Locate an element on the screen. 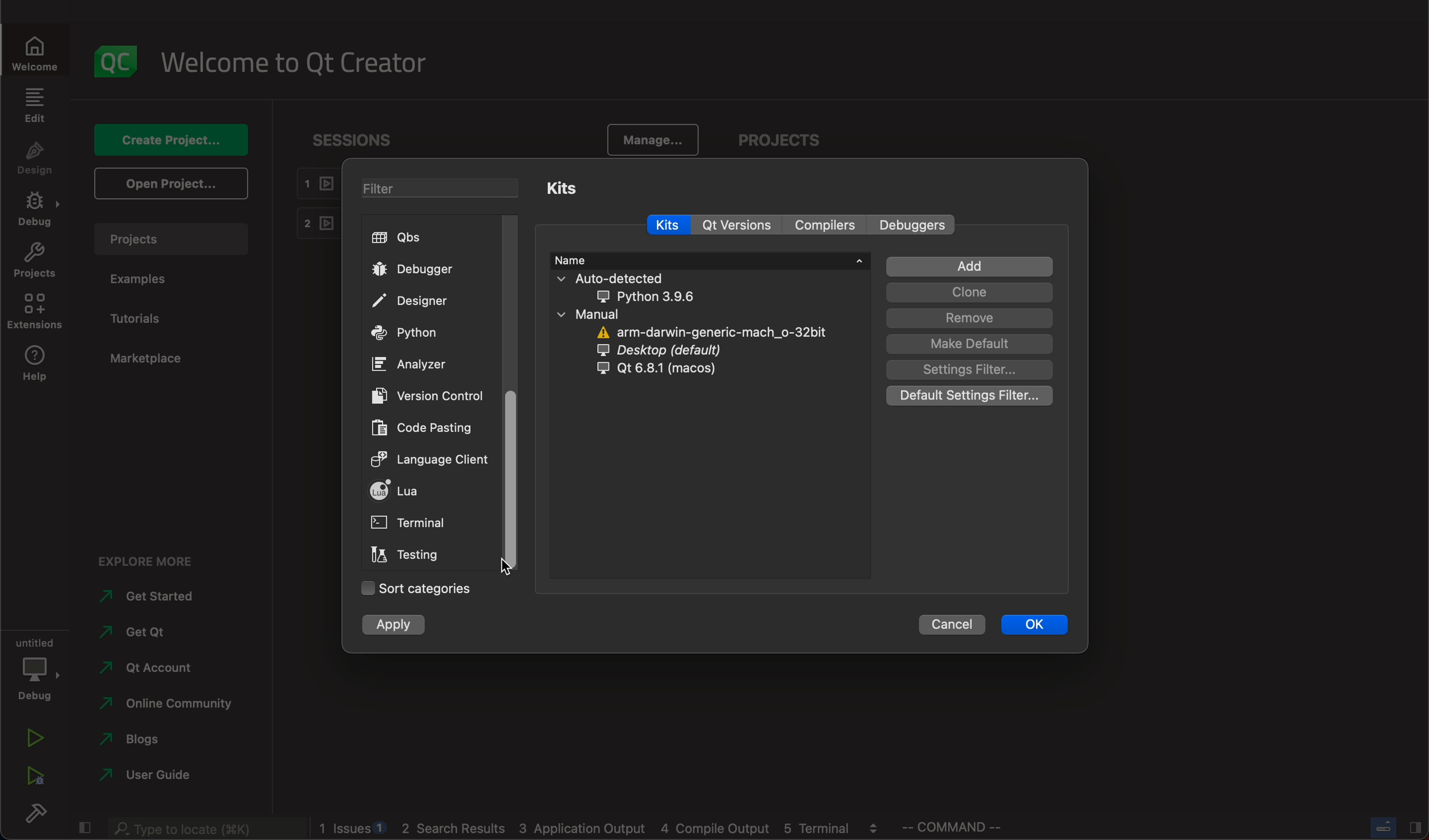 This screenshot has height=840, width=1429. build is located at coordinates (40, 816).